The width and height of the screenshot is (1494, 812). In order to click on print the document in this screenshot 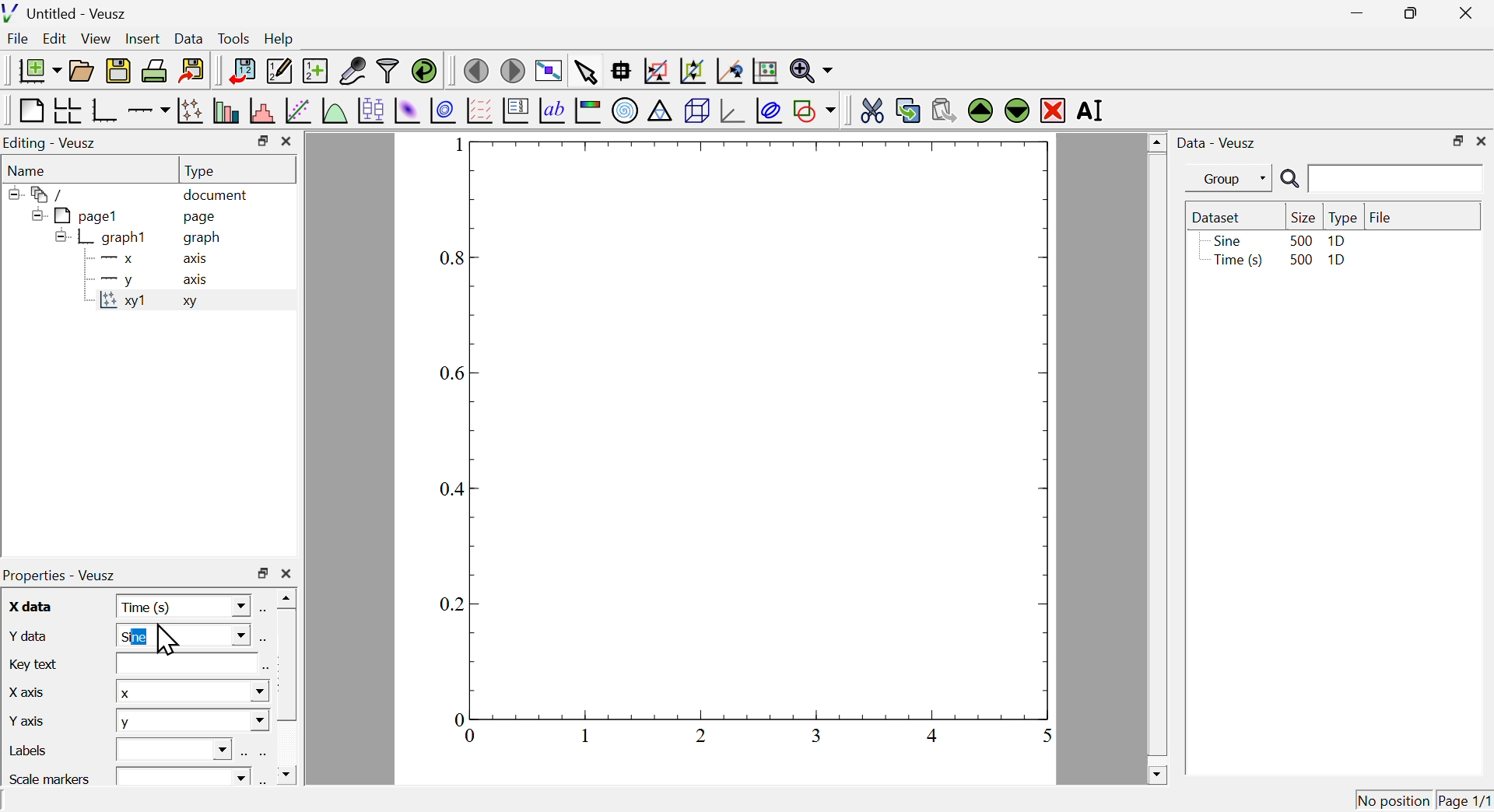, I will do `click(156, 71)`.